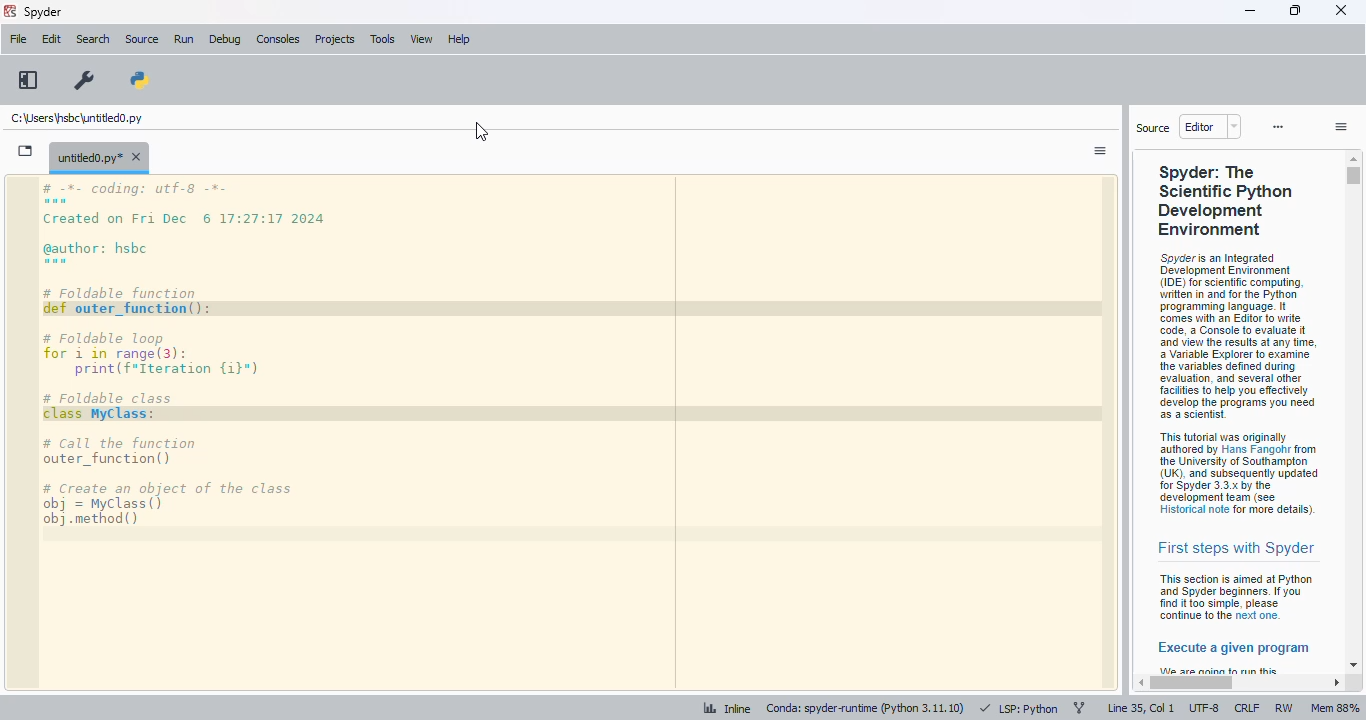 This screenshot has height=720, width=1366. What do you see at coordinates (865, 707) in the screenshot?
I see `conda: spyder-runtime (python 3. 11. 10)` at bounding box center [865, 707].